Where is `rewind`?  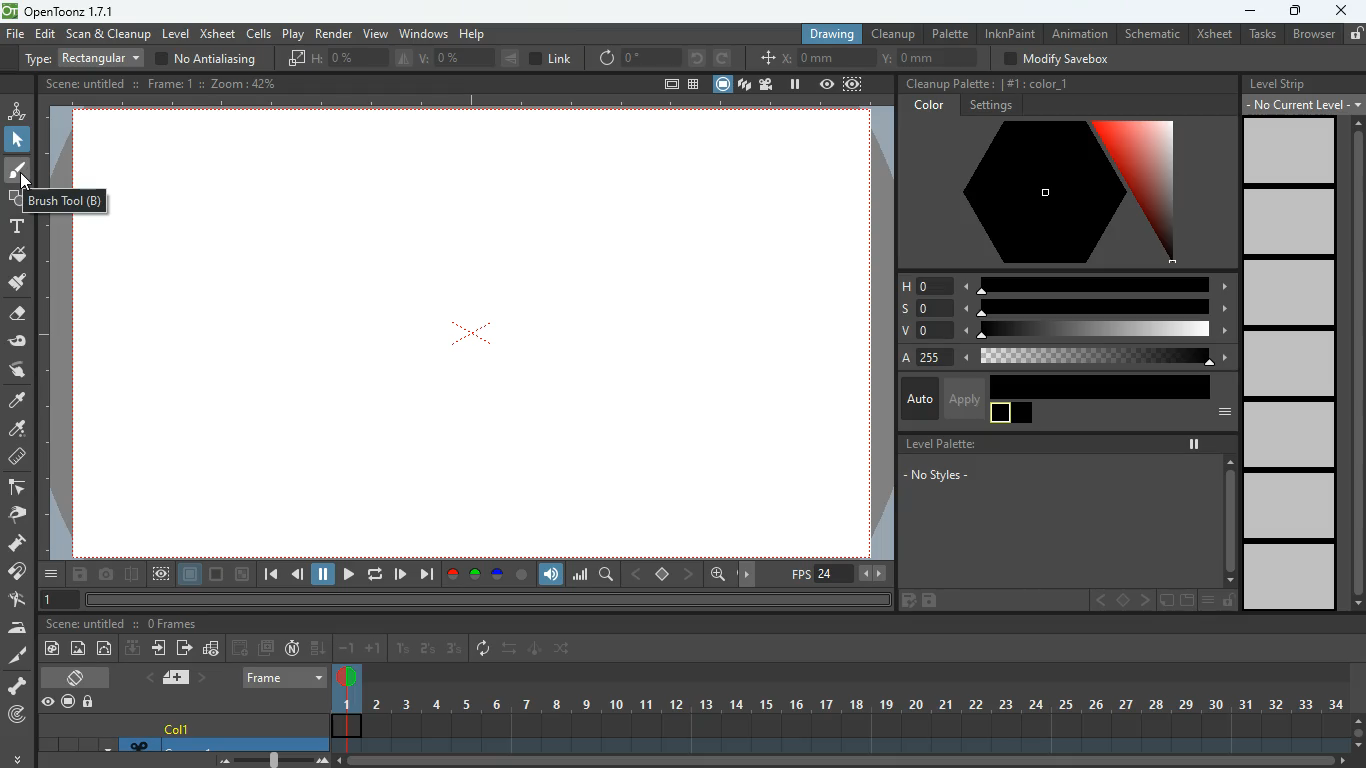 rewind is located at coordinates (377, 574).